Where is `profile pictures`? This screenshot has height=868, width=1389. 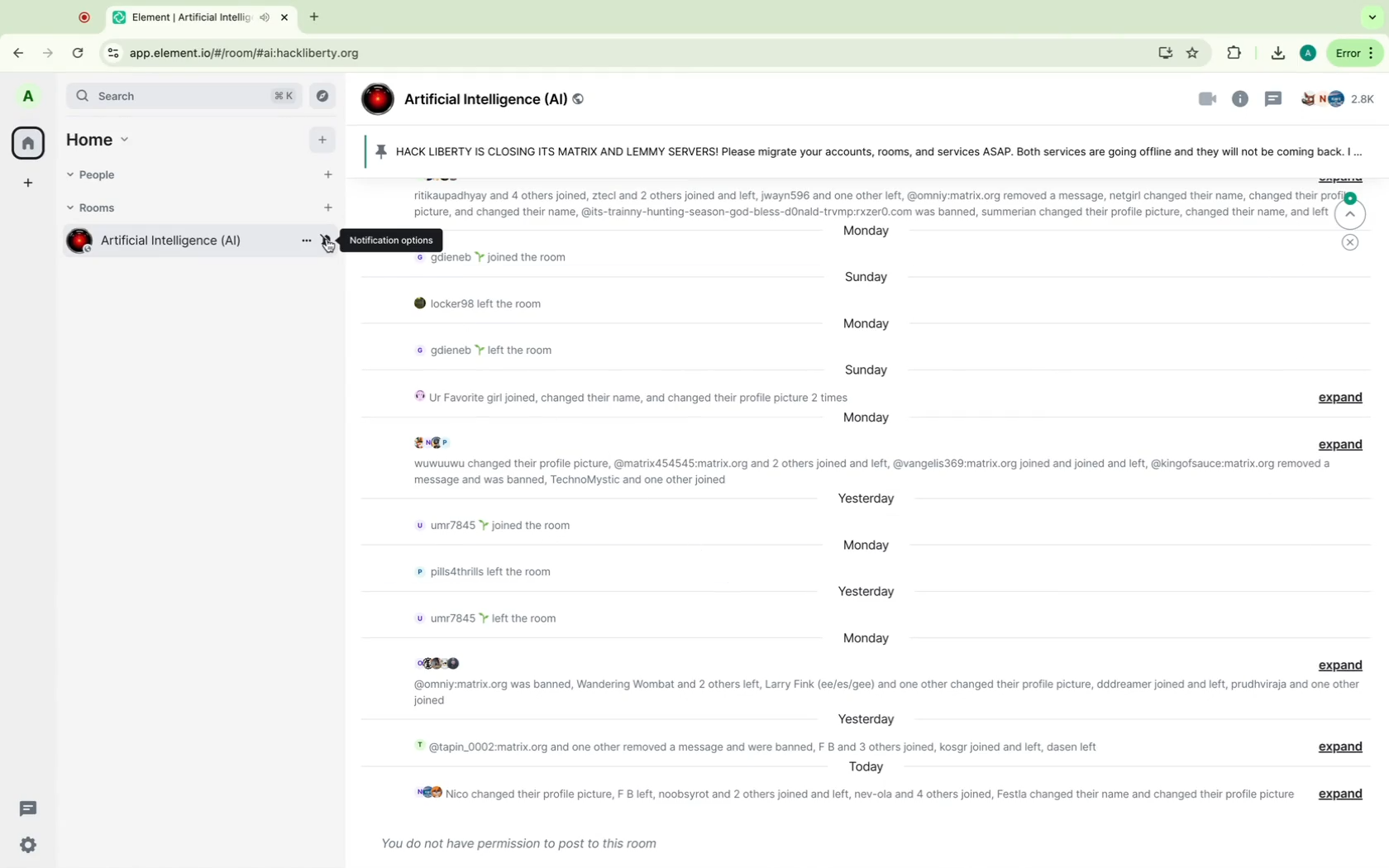 profile pictures is located at coordinates (441, 661).